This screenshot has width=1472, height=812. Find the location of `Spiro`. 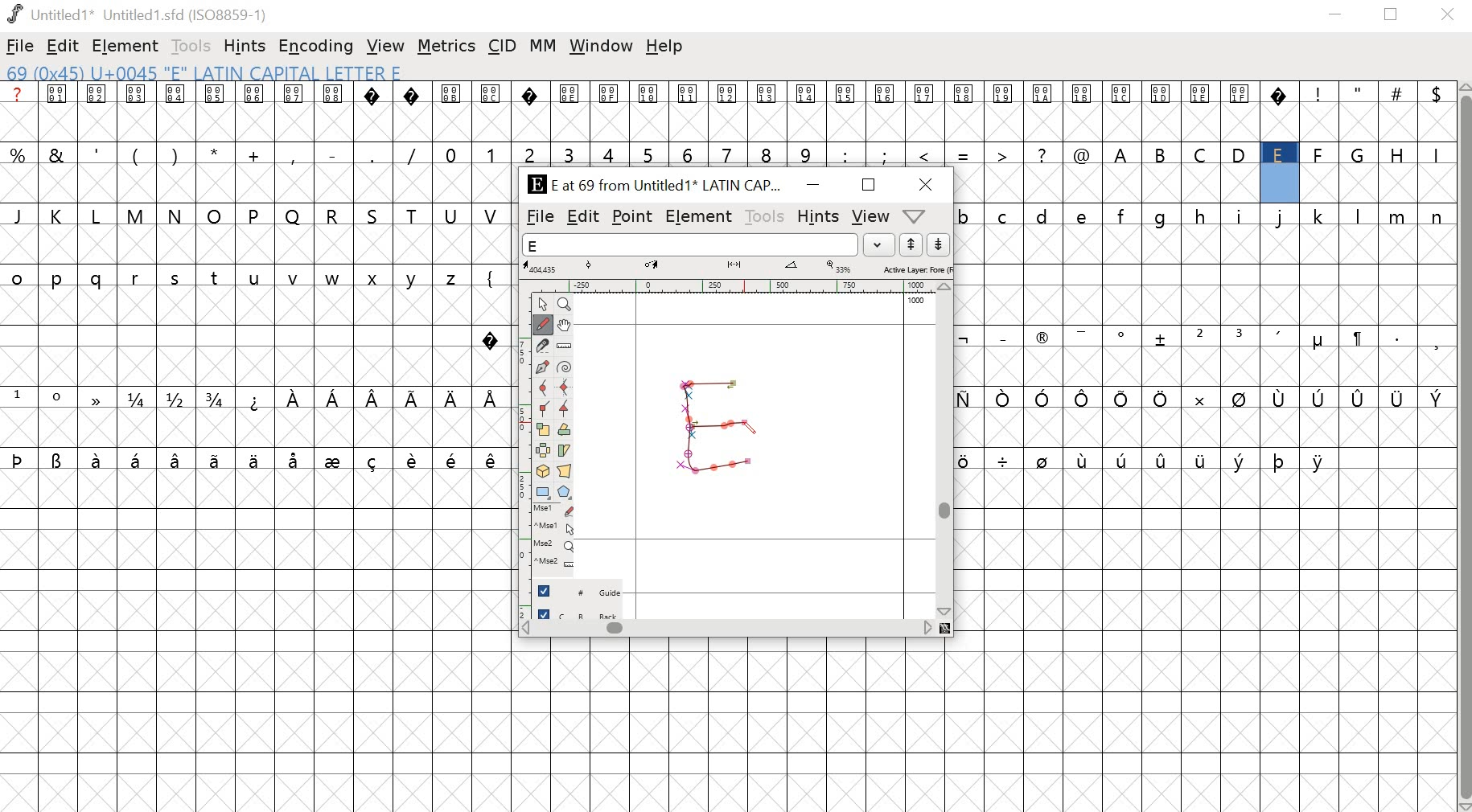

Spiro is located at coordinates (565, 366).